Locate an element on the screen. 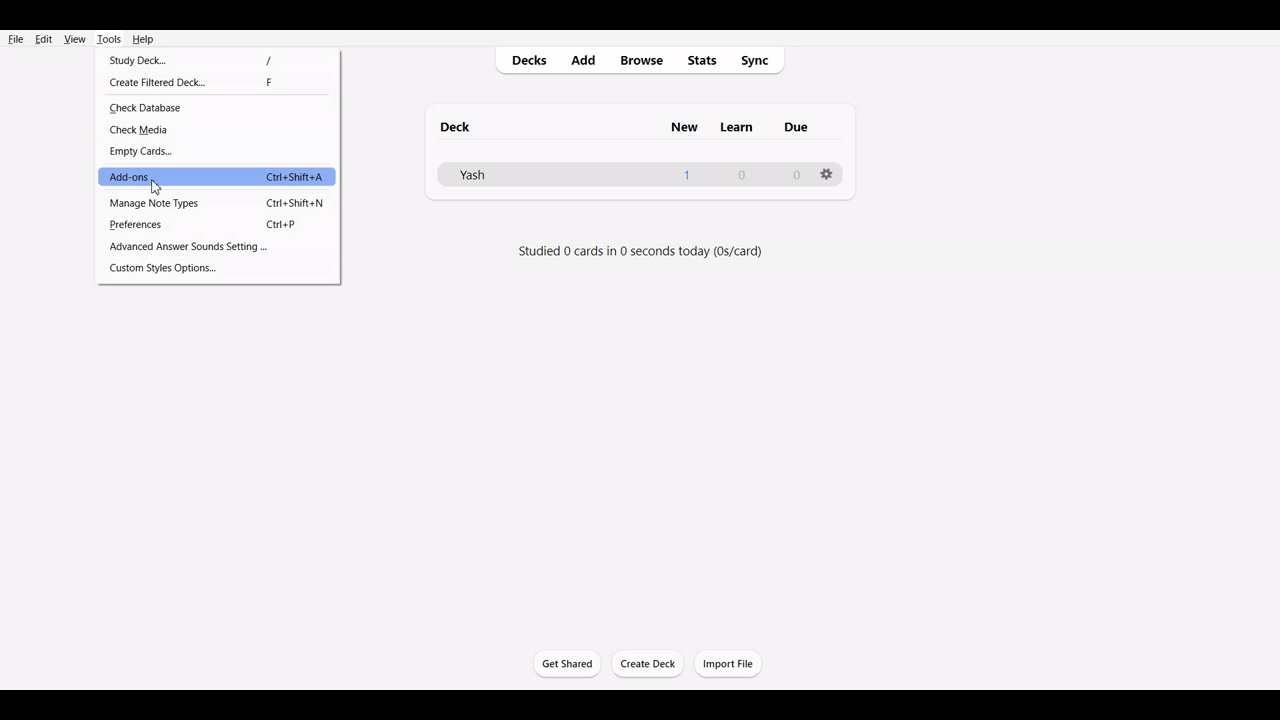  0 is located at coordinates (794, 176).